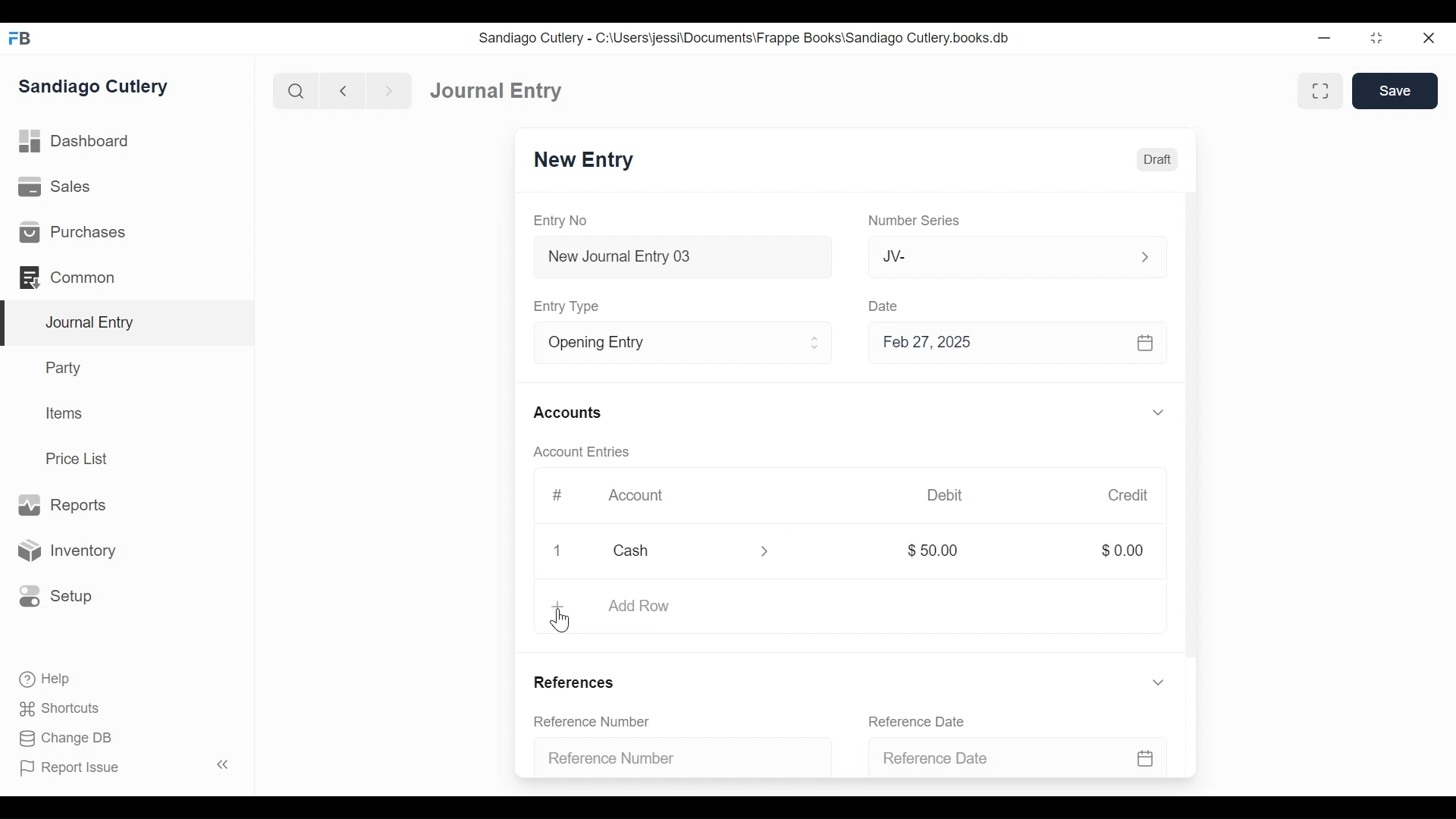  Describe the element at coordinates (1320, 90) in the screenshot. I see `Toggle between form and full width` at that location.